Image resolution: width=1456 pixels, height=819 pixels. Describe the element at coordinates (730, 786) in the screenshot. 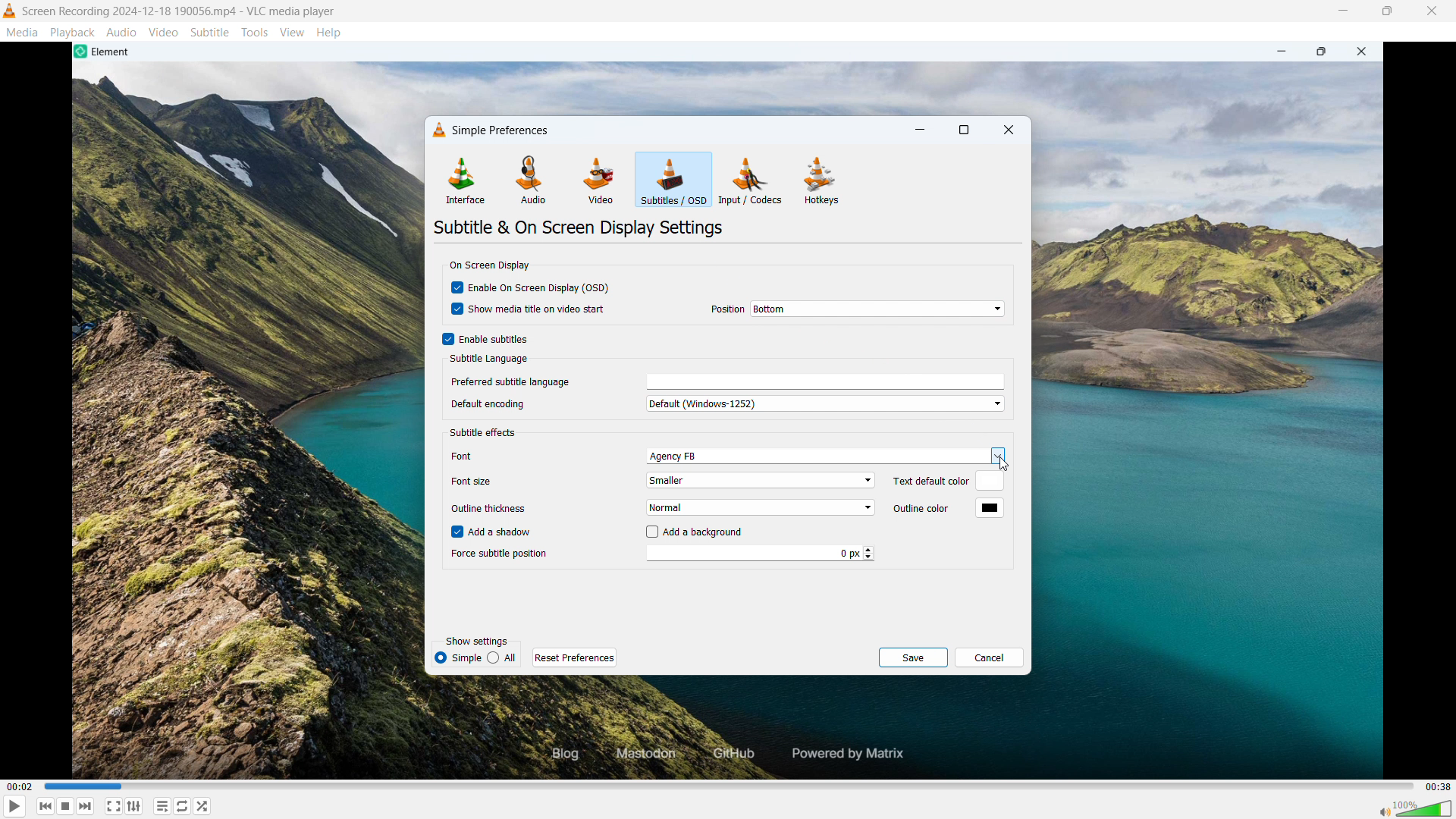

I see `time bar` at that location.